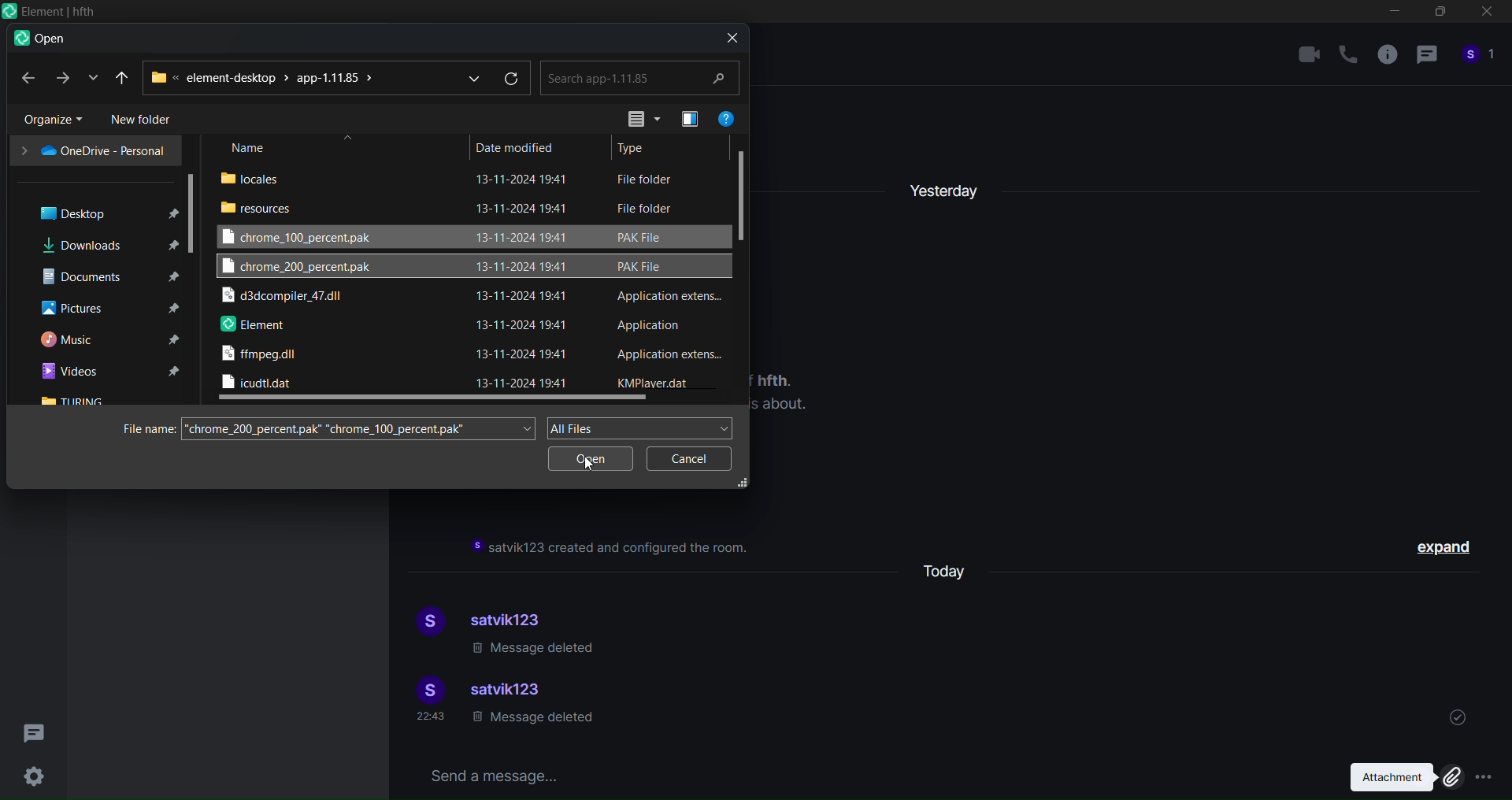 Image resolution: width=1512 pixels, height=800 pixels. Describe the element at coordinates (516, 146) in the screenshot. I see `date modified` at that location.